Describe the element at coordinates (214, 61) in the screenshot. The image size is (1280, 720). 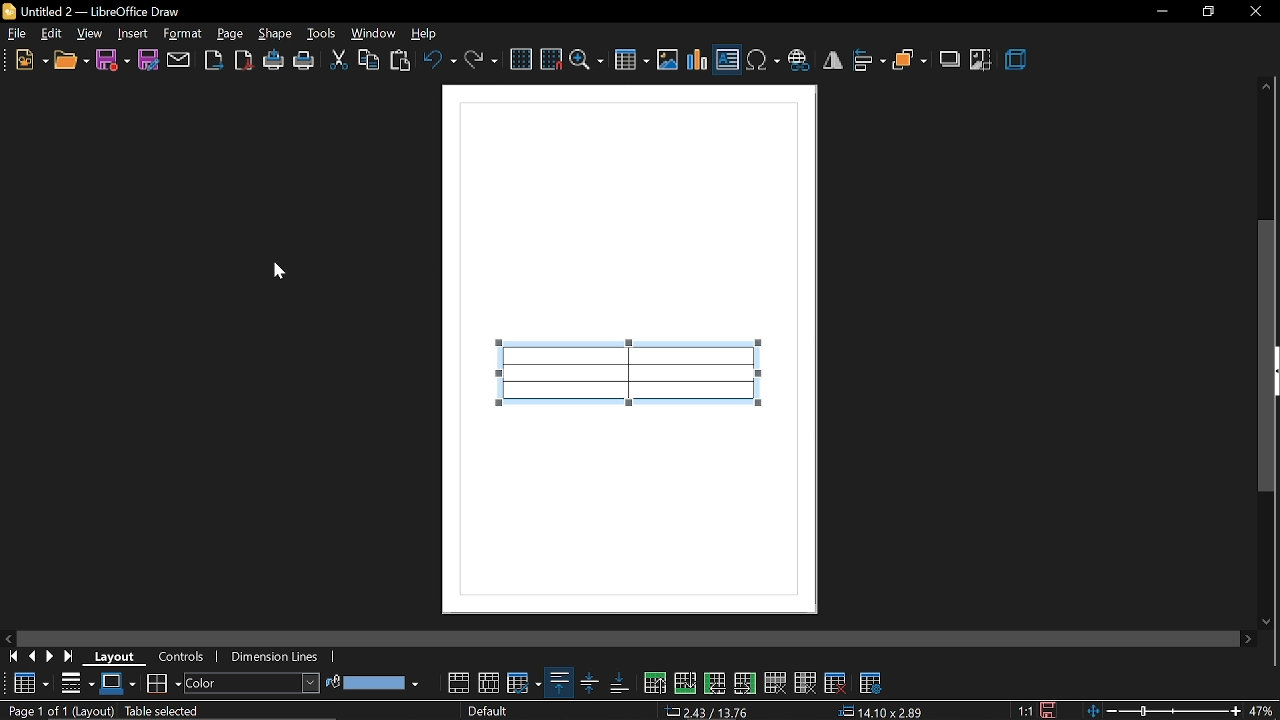
I see `export` at that location.